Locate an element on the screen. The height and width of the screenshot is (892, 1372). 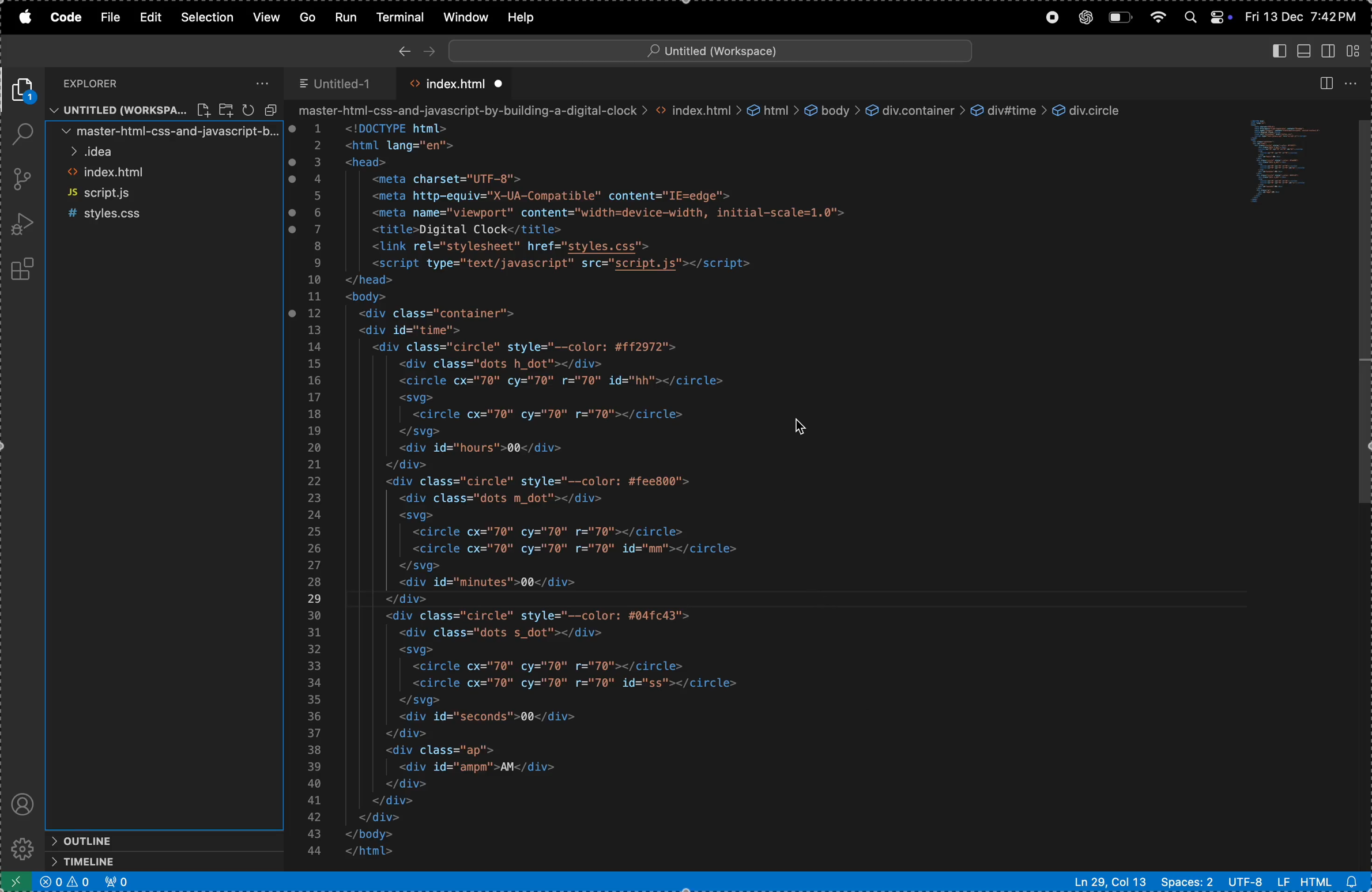
Selection is located at coordinates (209, 17).